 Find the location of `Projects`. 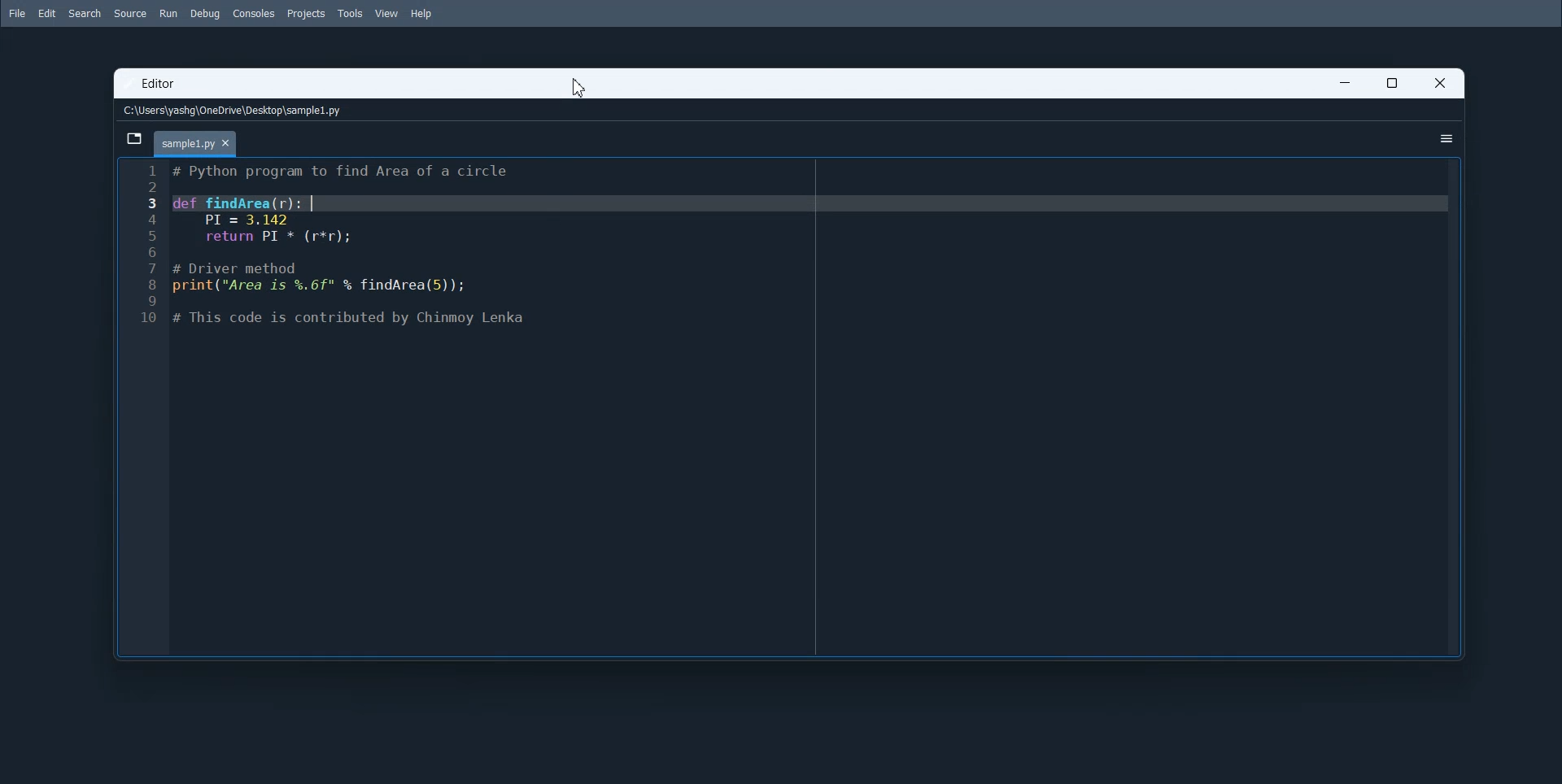

Projects is located at coordinates (307, 15).